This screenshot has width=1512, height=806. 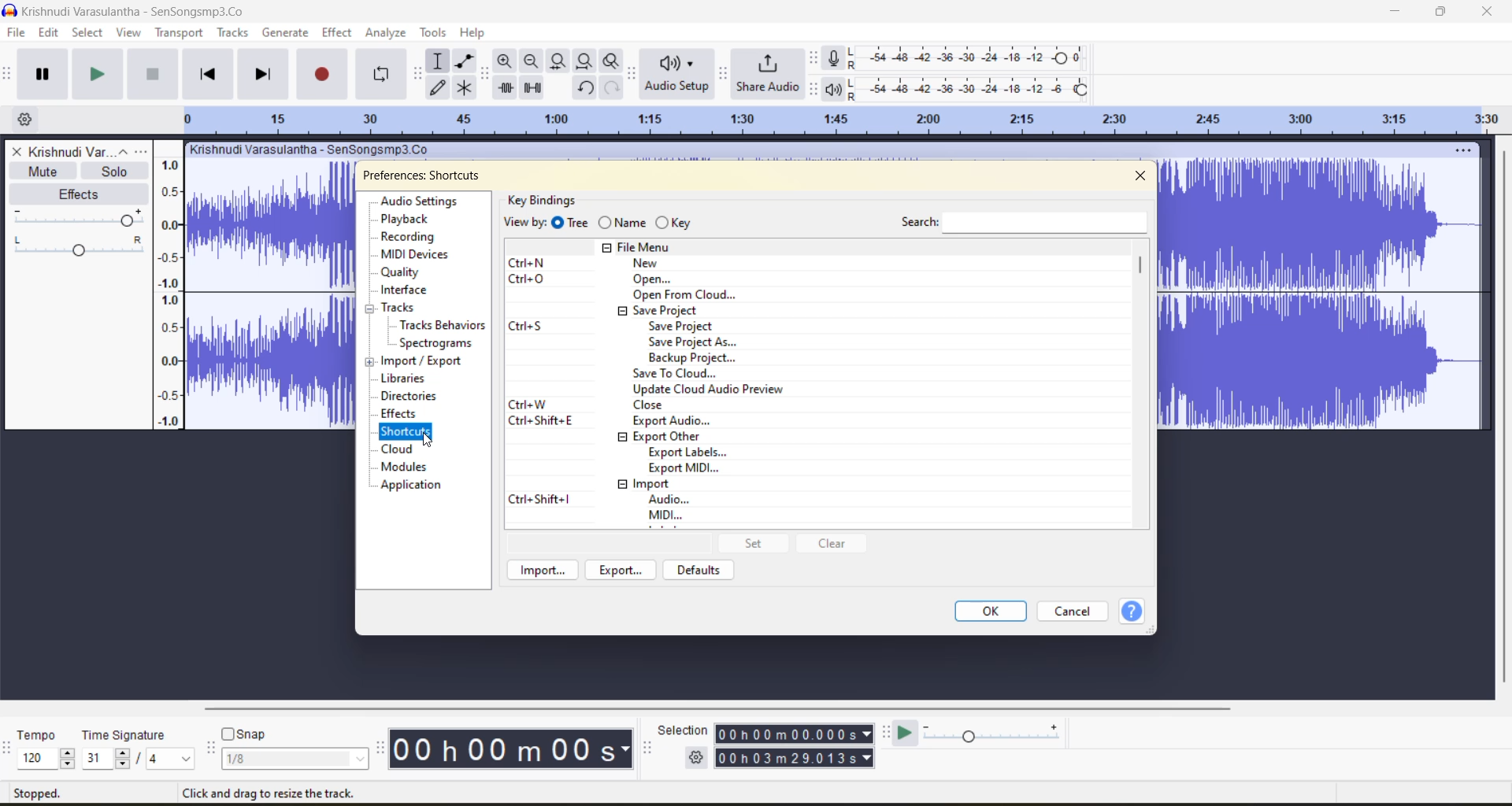 I want to click on cursor, so click(x=421, y=435).